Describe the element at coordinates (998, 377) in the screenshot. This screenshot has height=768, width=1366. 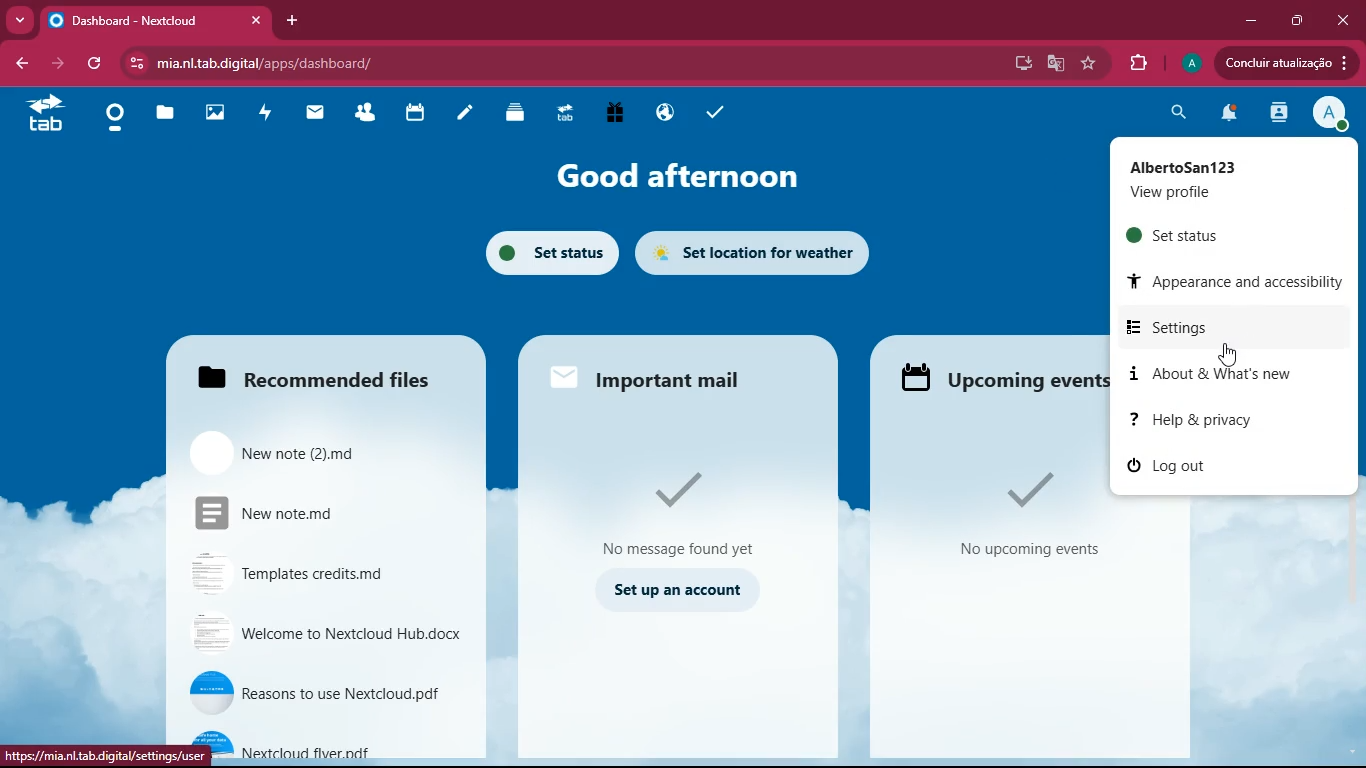
I see `Upcoming events` at that location.